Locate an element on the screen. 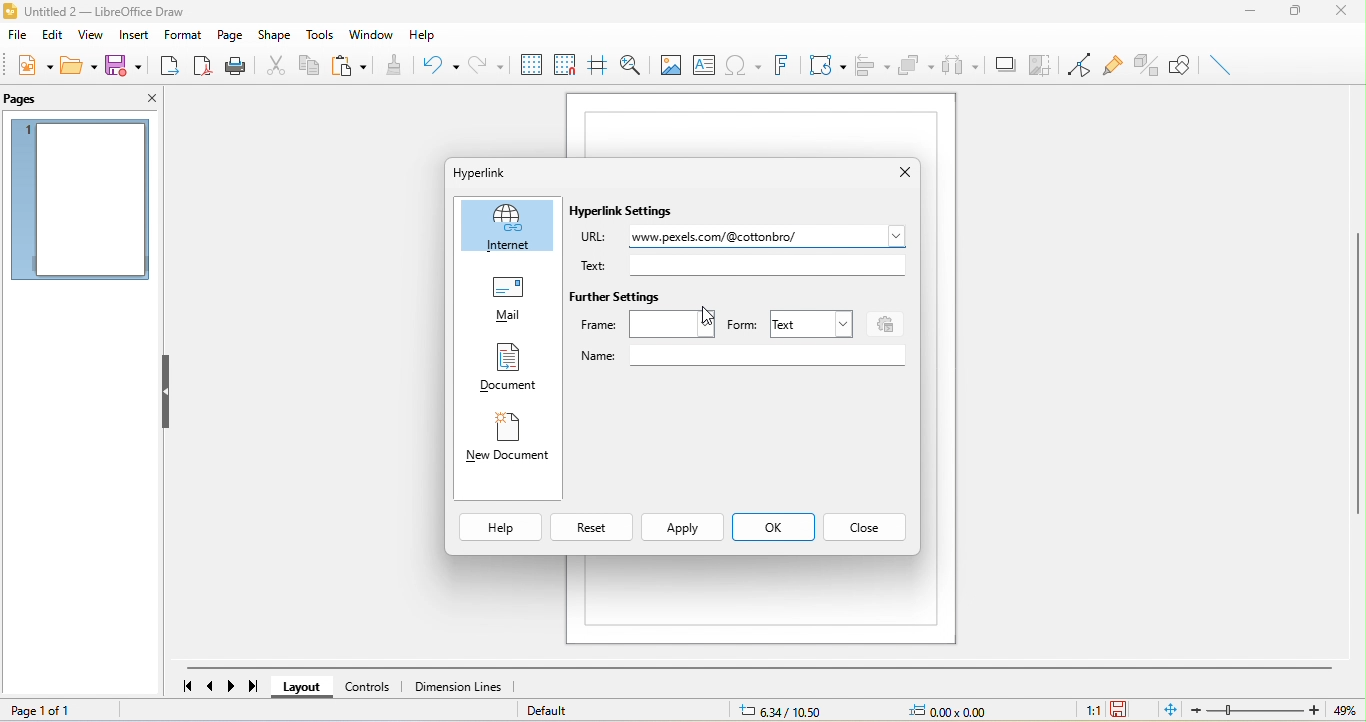 This screenshot has height=722, width=1366. page 1 of 1 is located at coordinates (43, 709).